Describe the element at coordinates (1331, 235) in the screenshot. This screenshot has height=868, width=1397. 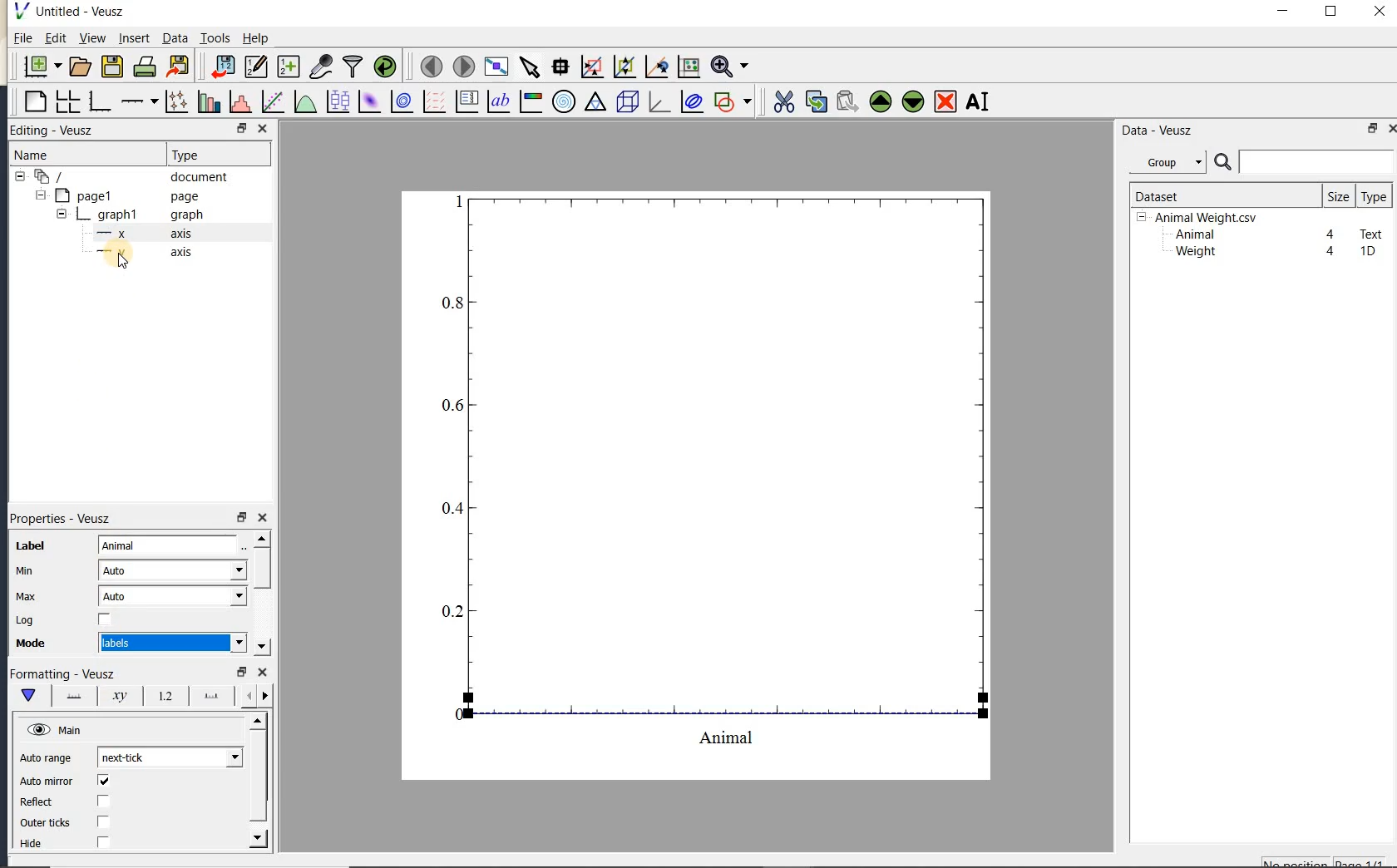
I see `4` at that location.